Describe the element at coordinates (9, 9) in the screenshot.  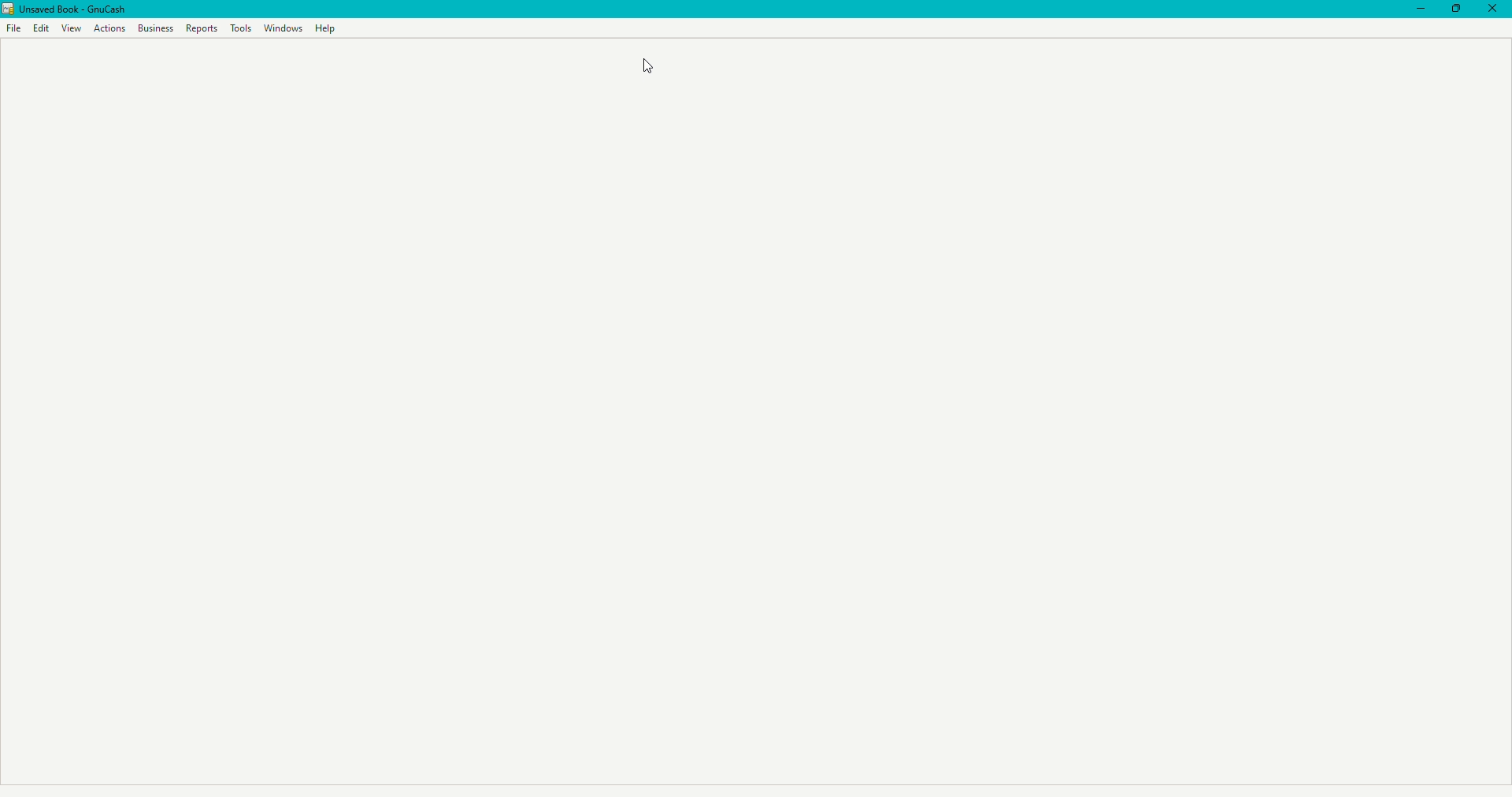
I see `logo` at that location.